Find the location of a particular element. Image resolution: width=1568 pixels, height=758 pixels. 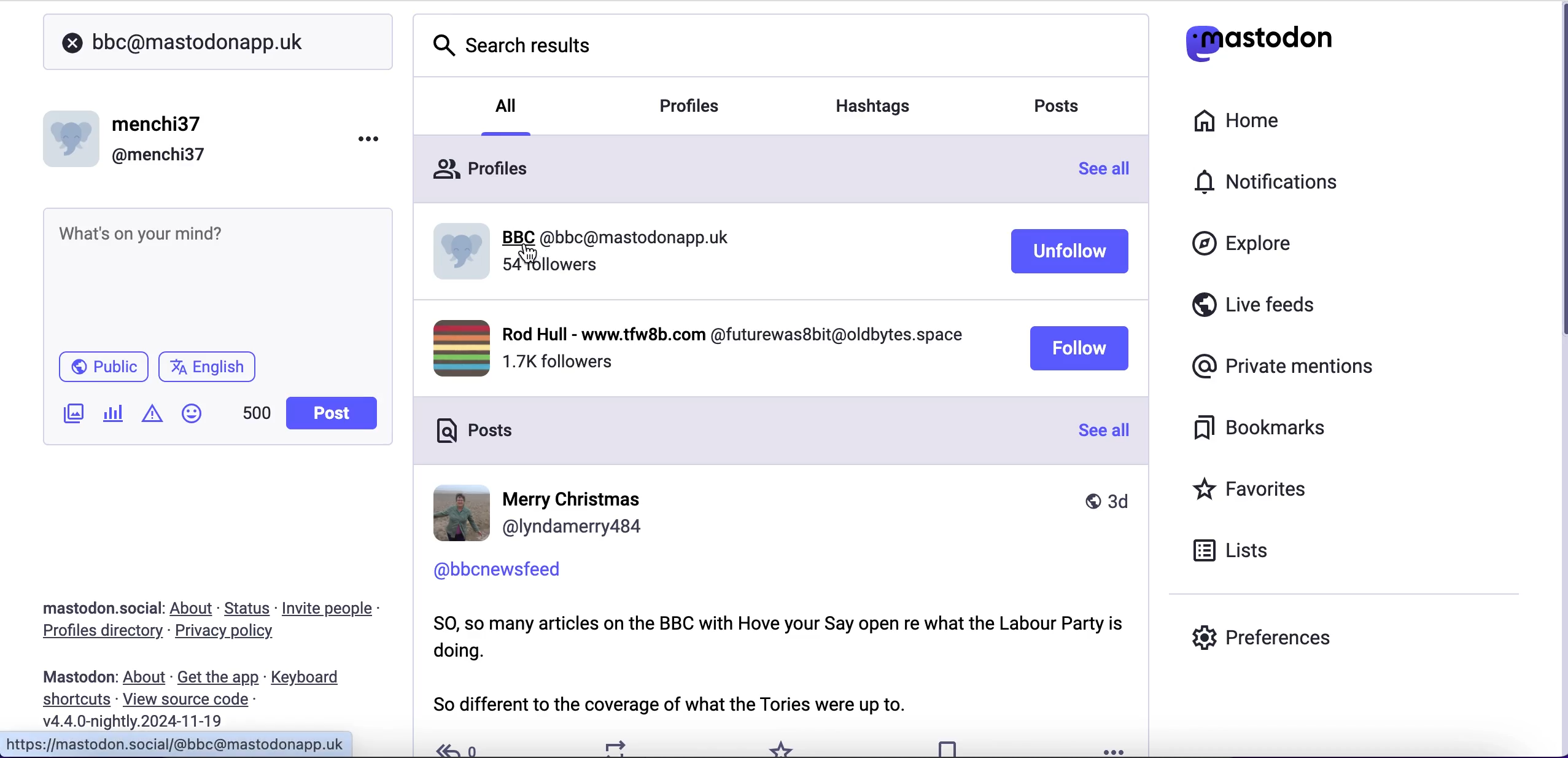

explore is located at coordinates (1254, 244).